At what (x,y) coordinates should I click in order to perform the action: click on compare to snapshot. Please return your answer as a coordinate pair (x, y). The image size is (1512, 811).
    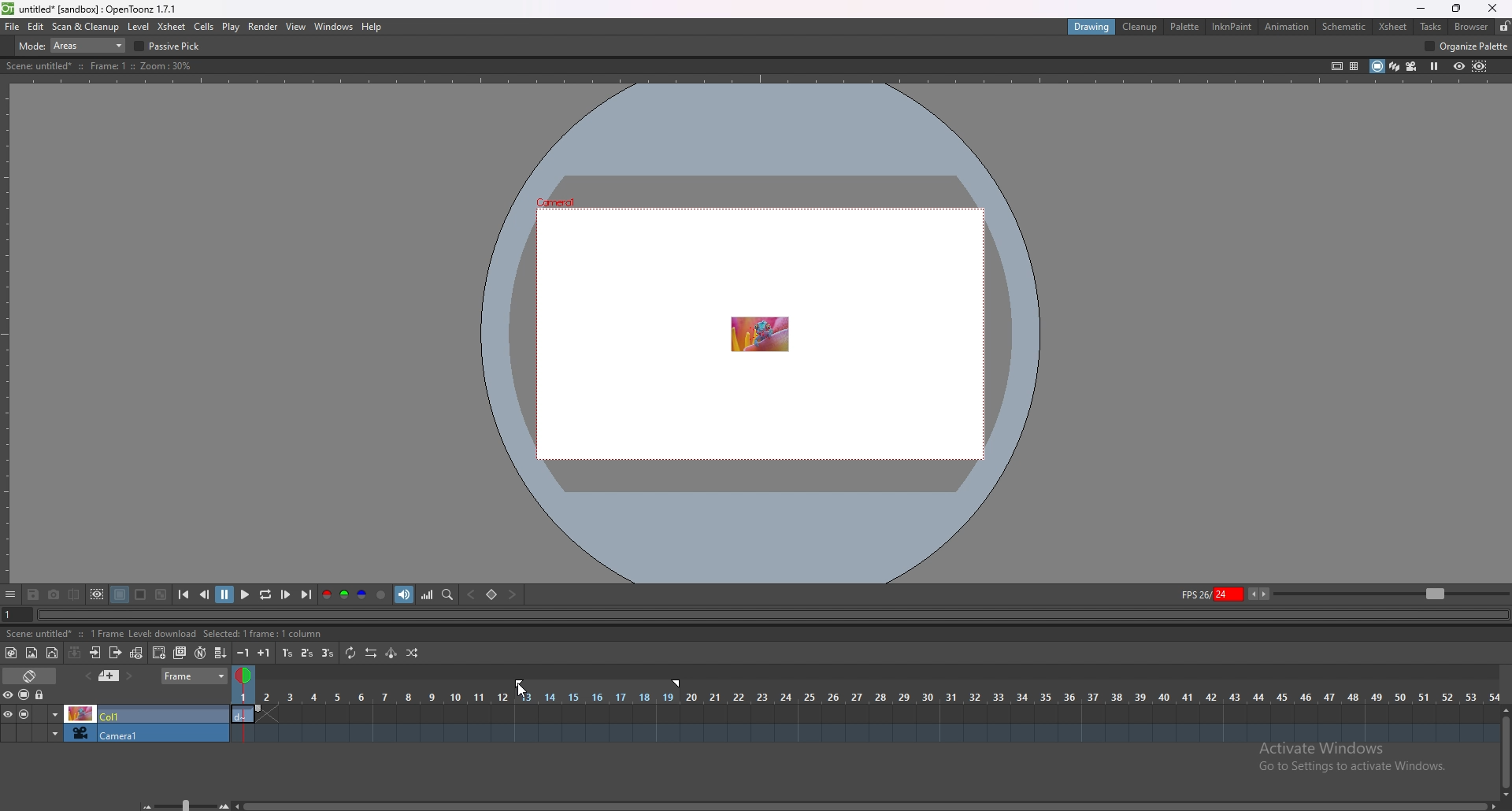
    Looking at the image, I should click on (74, 594).